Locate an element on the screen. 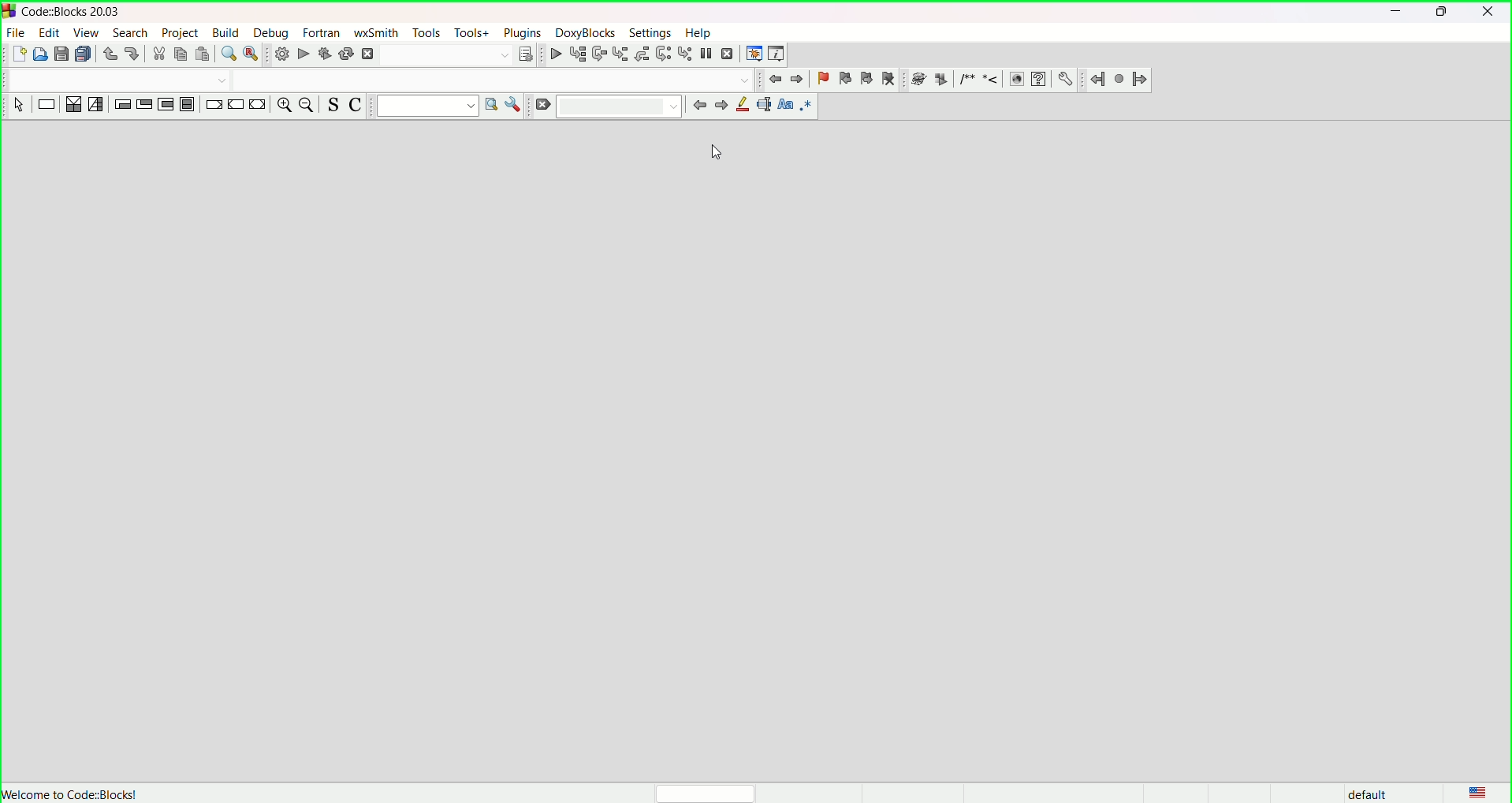  settings is located at coordinates (650, 31).